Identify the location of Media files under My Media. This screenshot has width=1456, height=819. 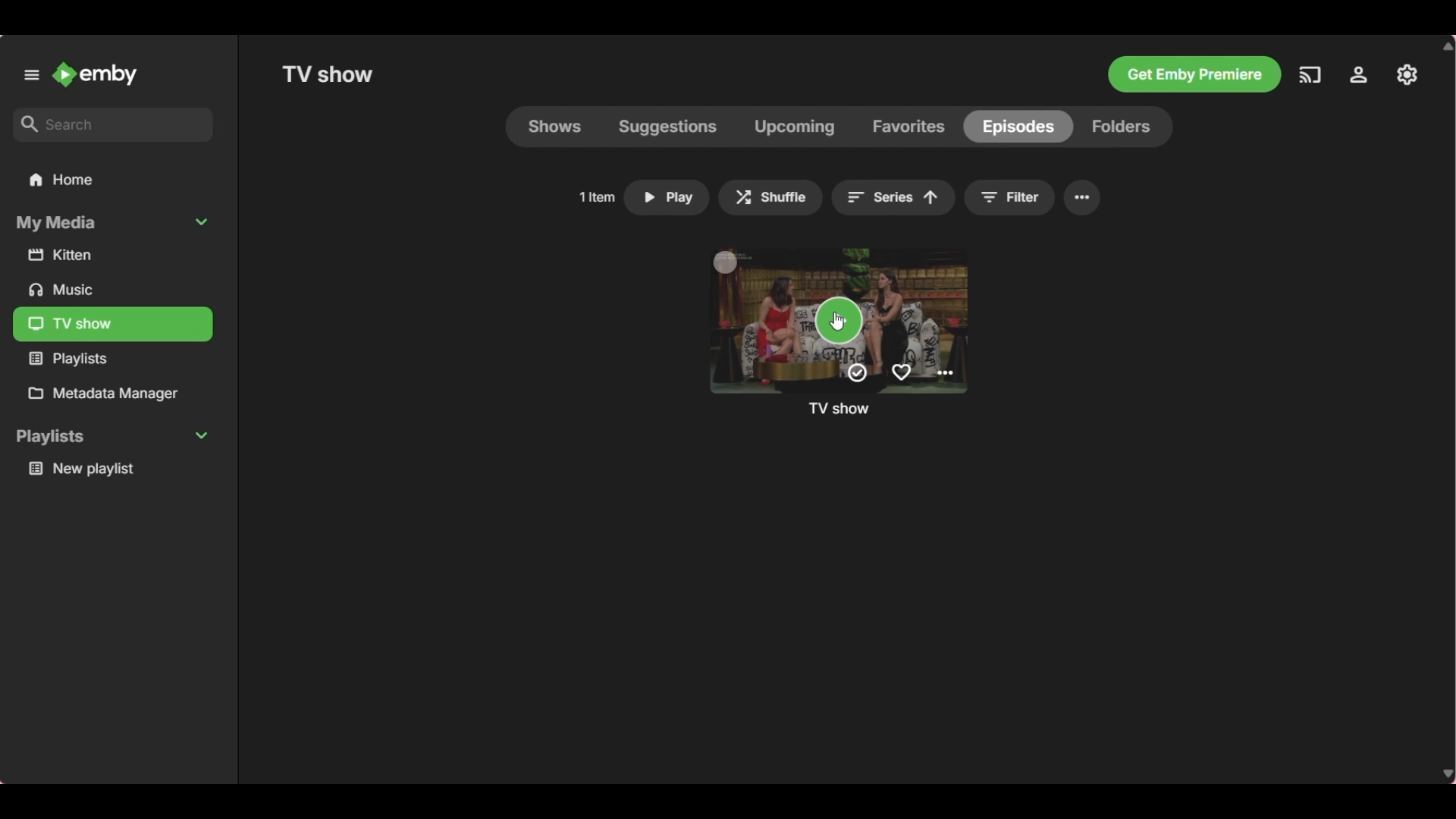
(116, 325).